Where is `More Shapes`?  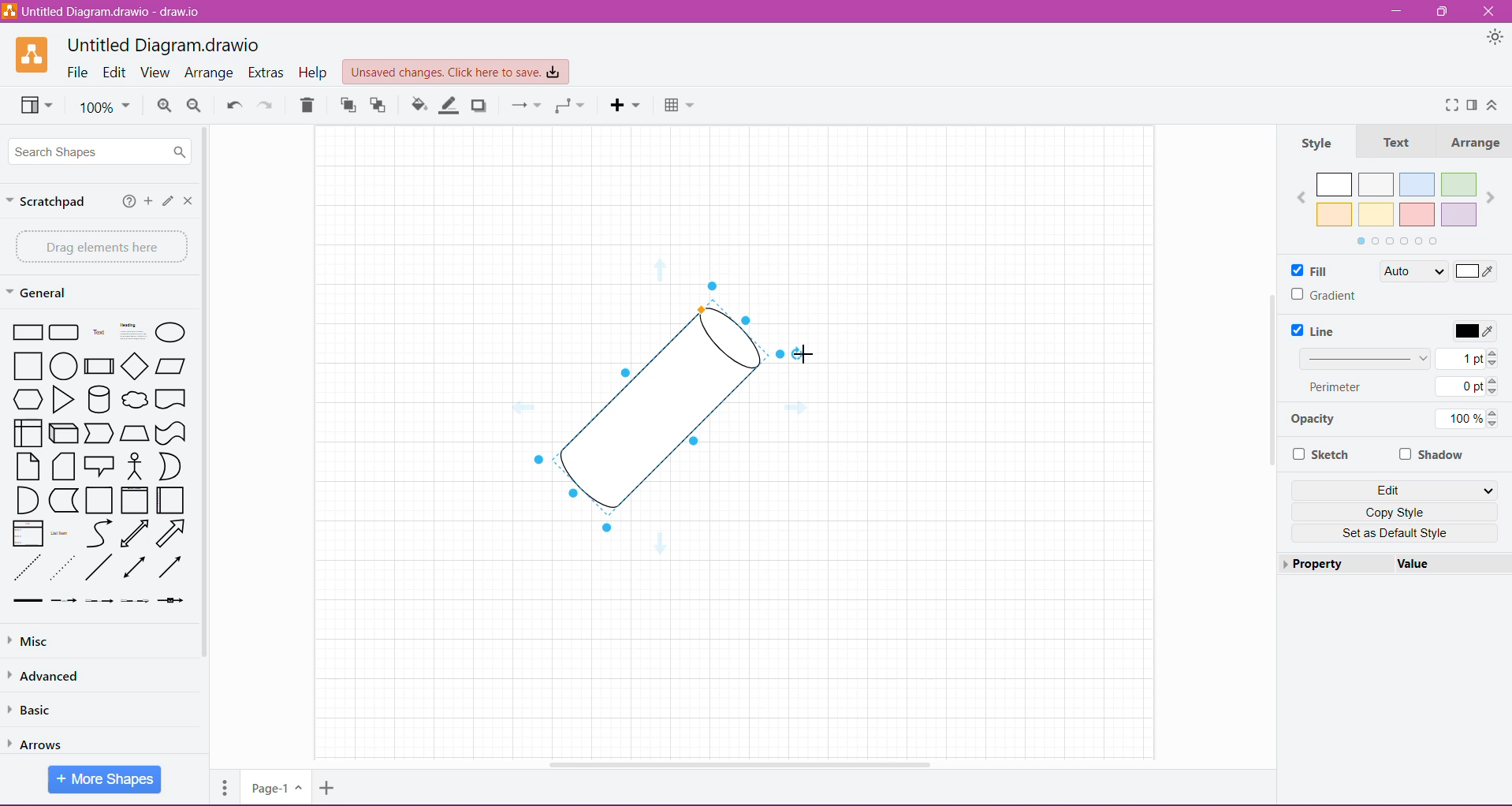
More Shapes is located at coordinates (106, 780).